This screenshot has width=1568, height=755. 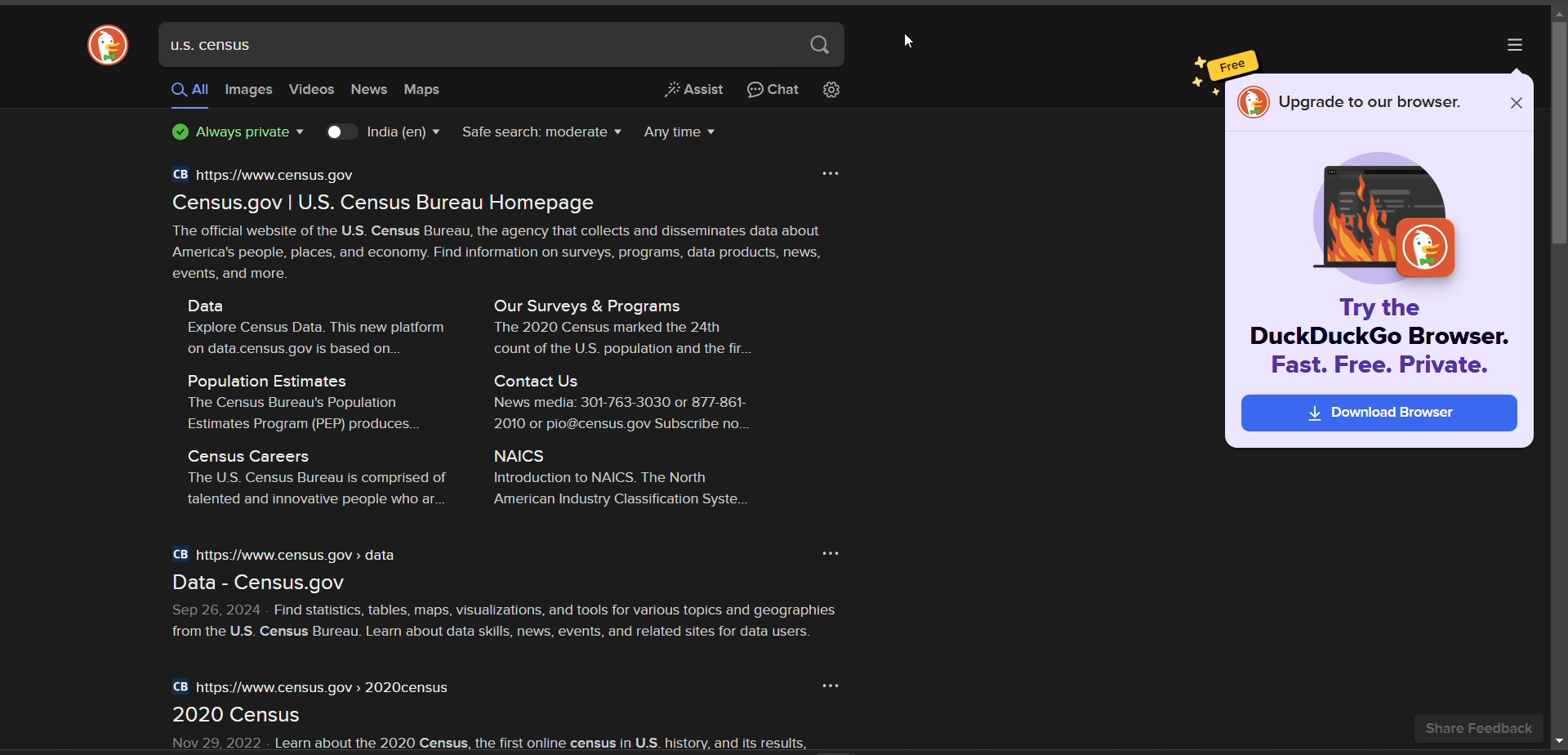 What do you see at coordinates (272, 583) in the screenshot?
I see `Data - Census.gov` at bounding box center [272, 583].